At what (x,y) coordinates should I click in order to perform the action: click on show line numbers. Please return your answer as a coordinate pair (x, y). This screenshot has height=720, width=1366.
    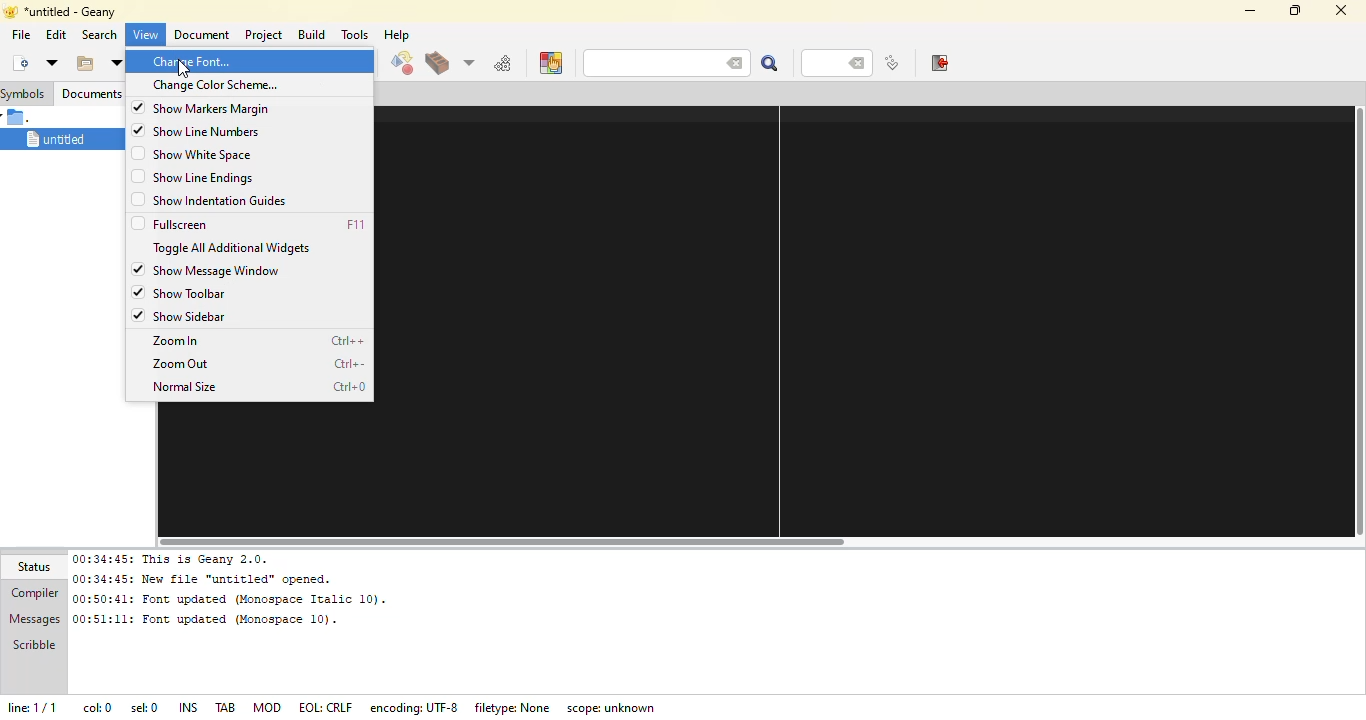
    Looking at the image, I should click on (216, 132).